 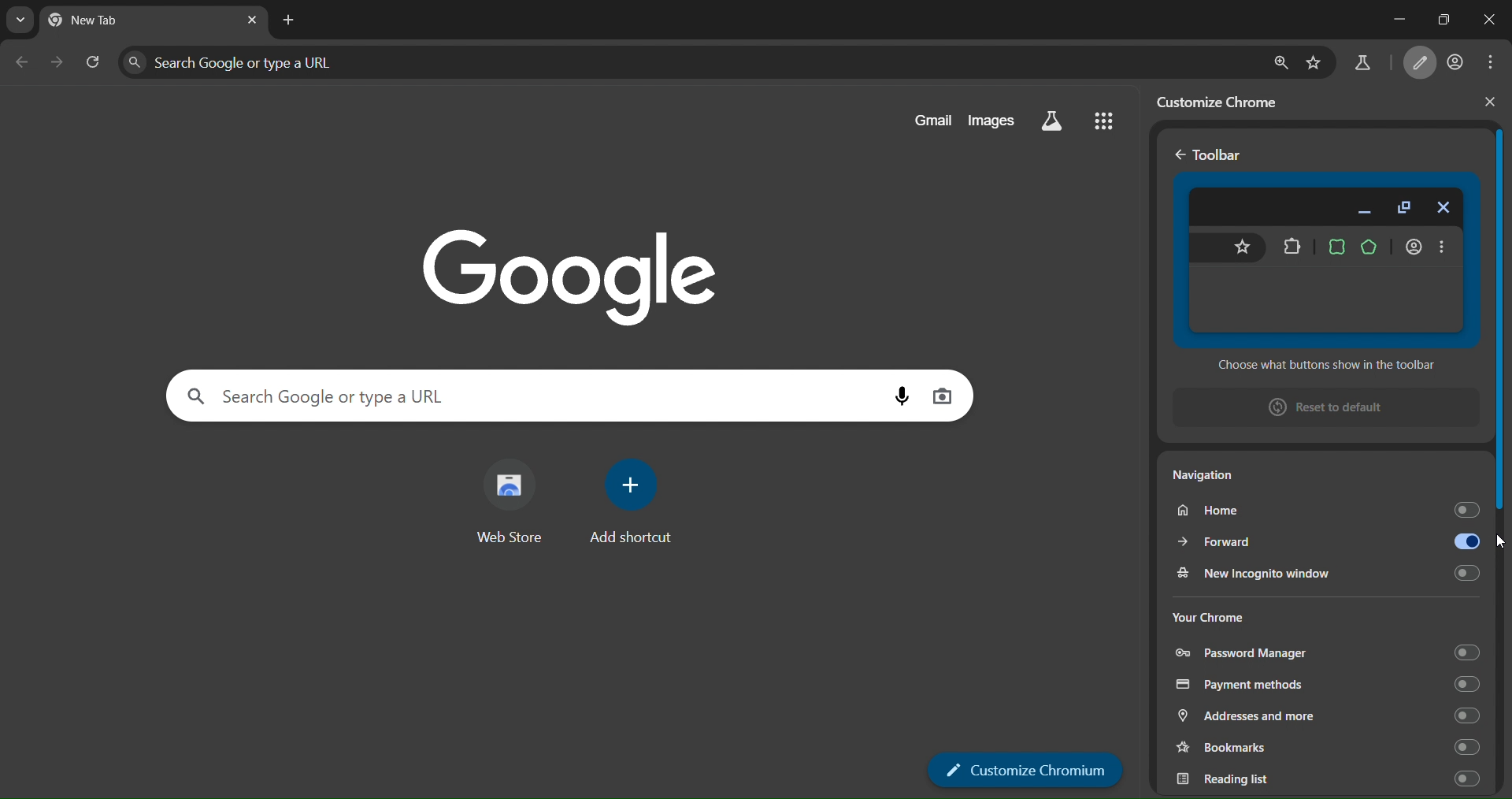 I want to click on menu, so click(x=1492, y=63).